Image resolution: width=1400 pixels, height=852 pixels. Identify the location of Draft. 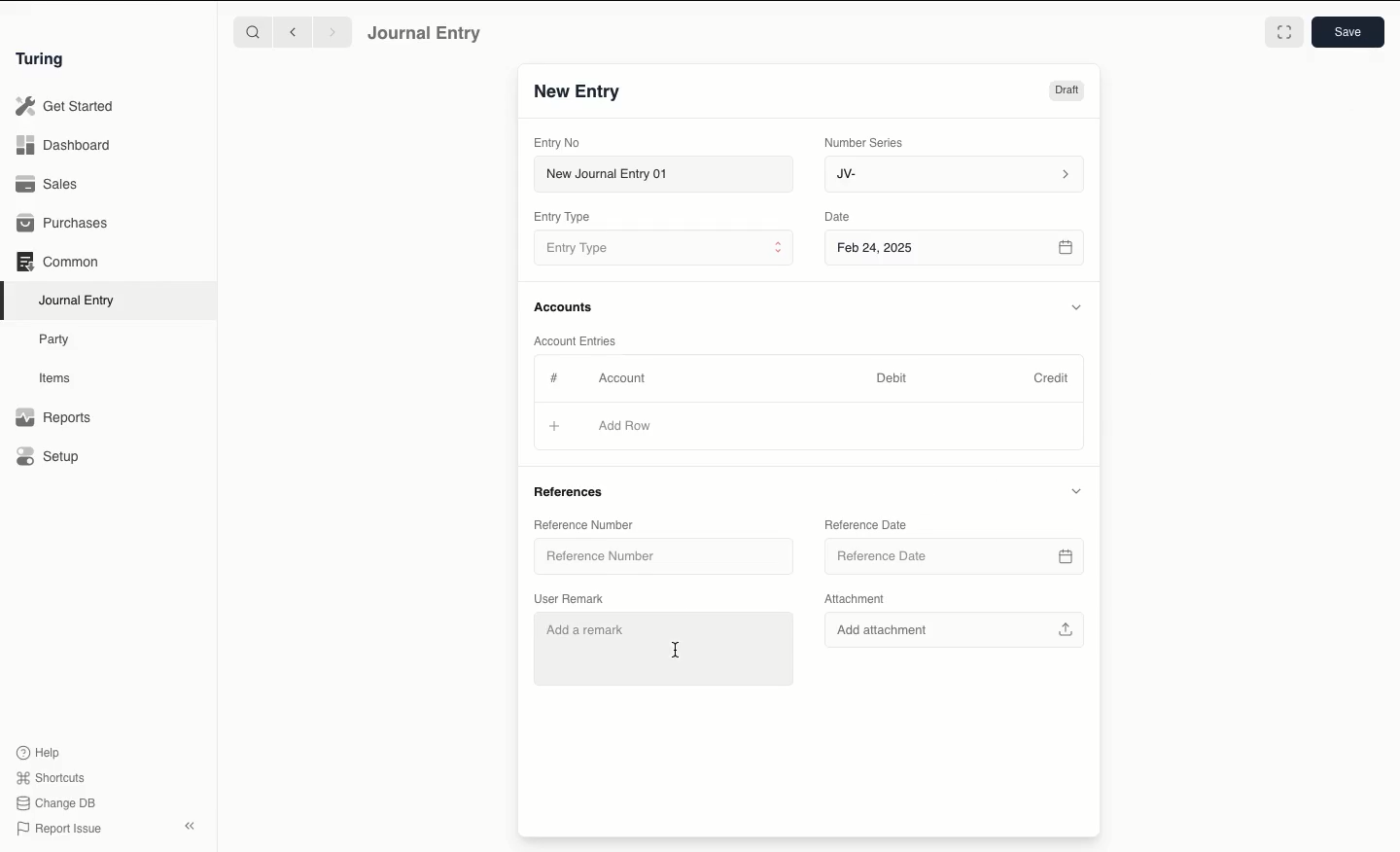
(1067, 90).